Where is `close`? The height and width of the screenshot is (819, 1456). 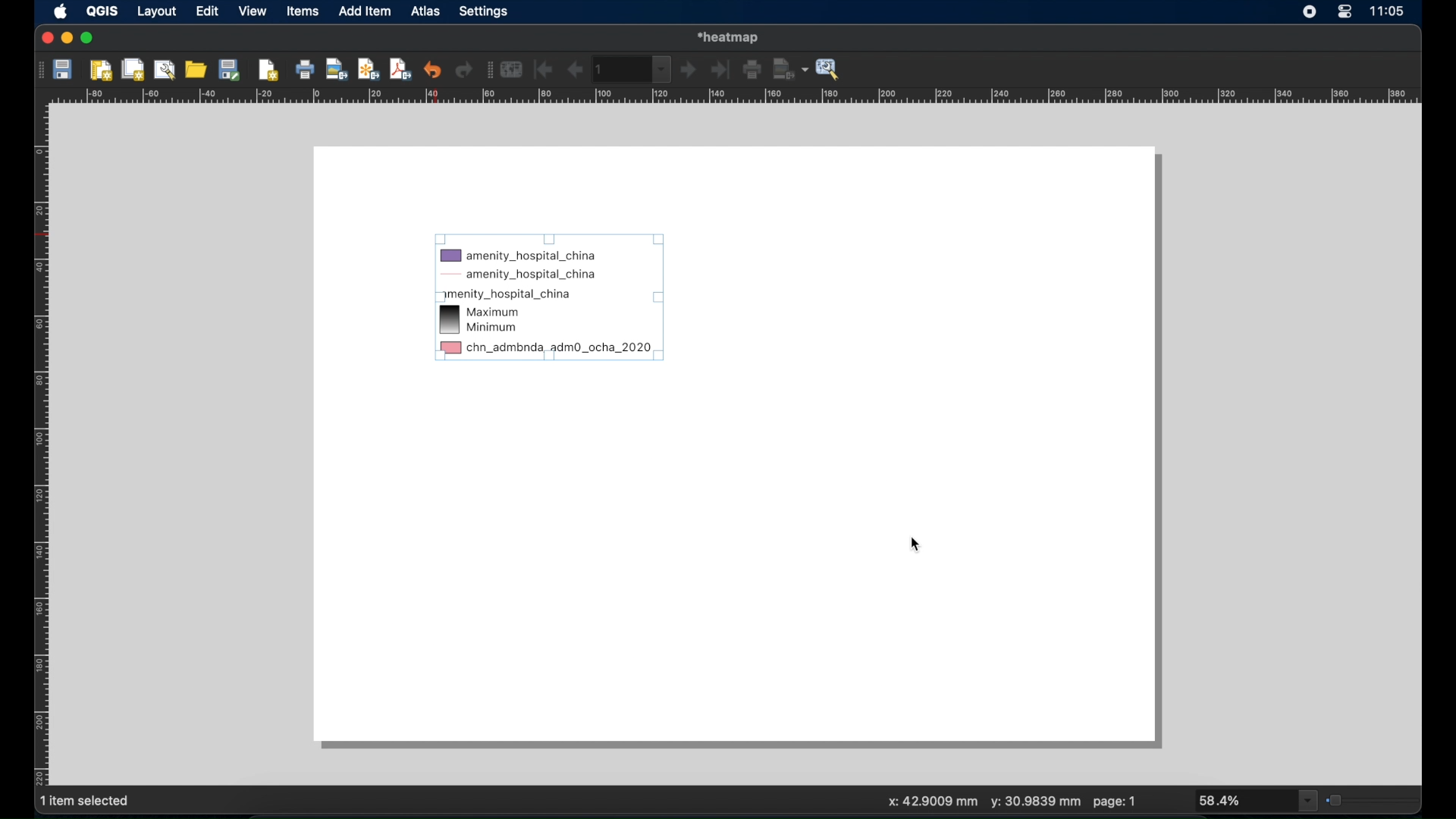 close is located at coordinates (45, 39).